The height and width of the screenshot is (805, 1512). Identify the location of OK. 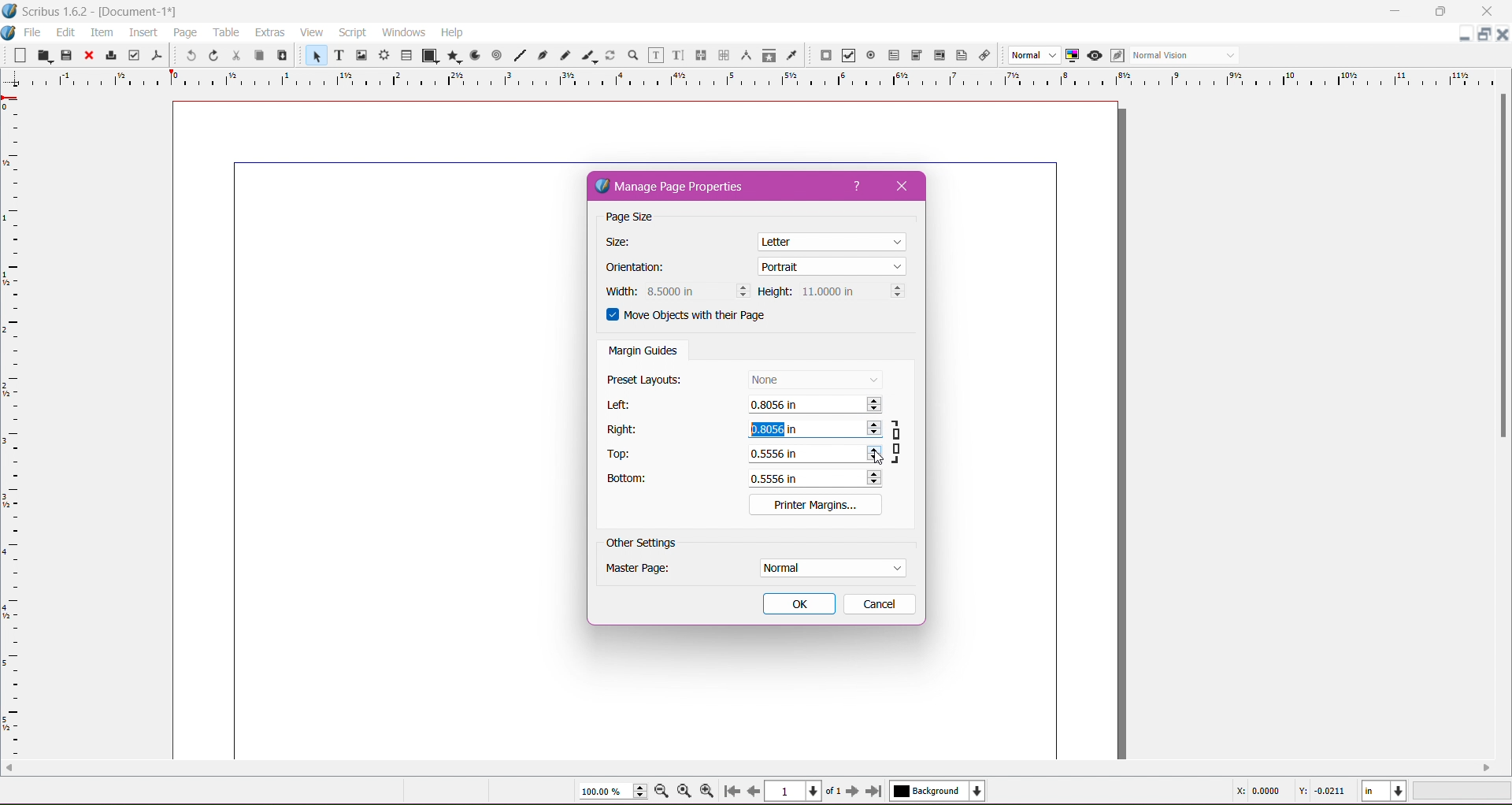
(799, 604).